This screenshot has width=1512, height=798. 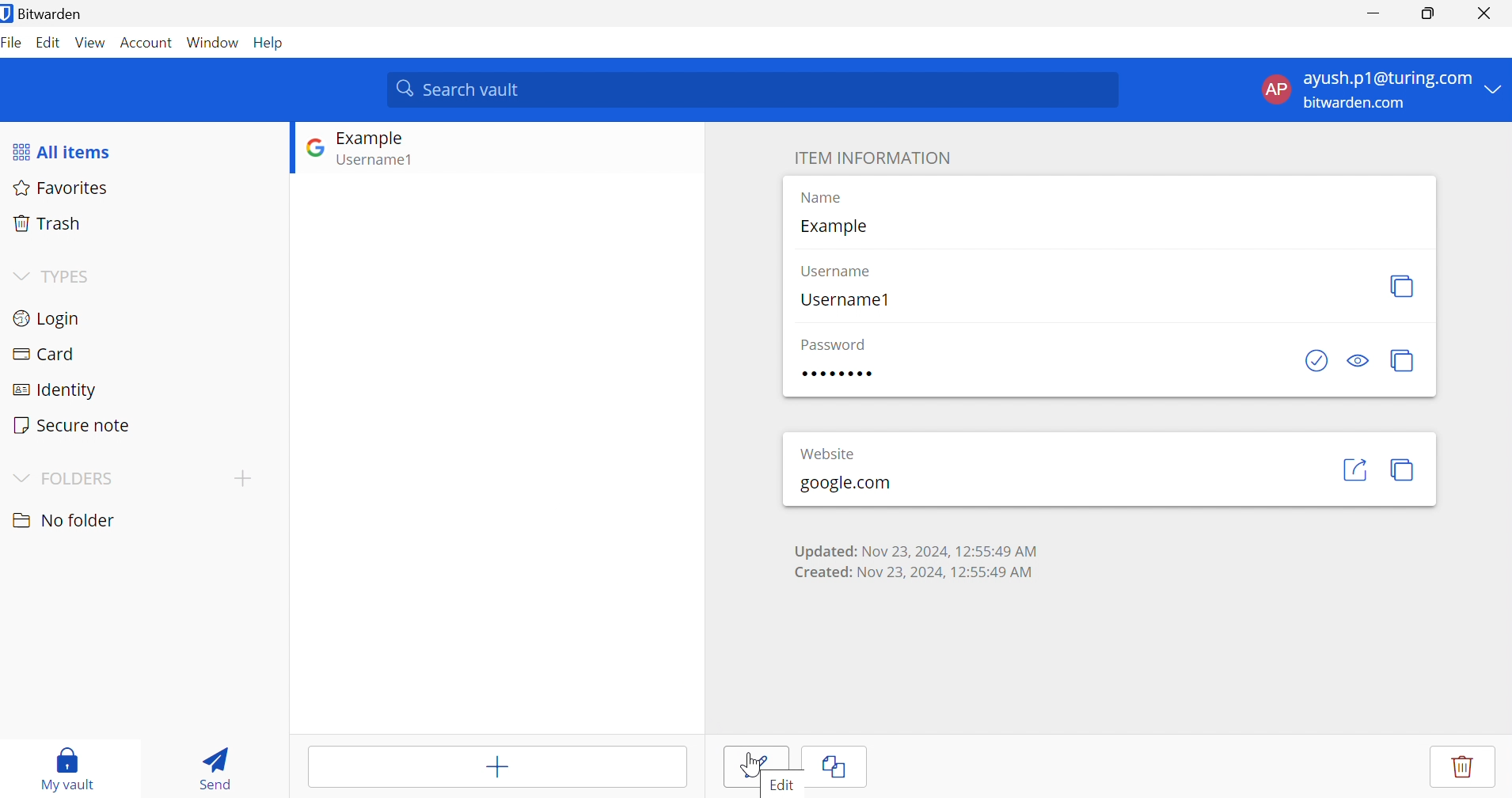 I want to click on Drop Down, so click(x=18, y=475).